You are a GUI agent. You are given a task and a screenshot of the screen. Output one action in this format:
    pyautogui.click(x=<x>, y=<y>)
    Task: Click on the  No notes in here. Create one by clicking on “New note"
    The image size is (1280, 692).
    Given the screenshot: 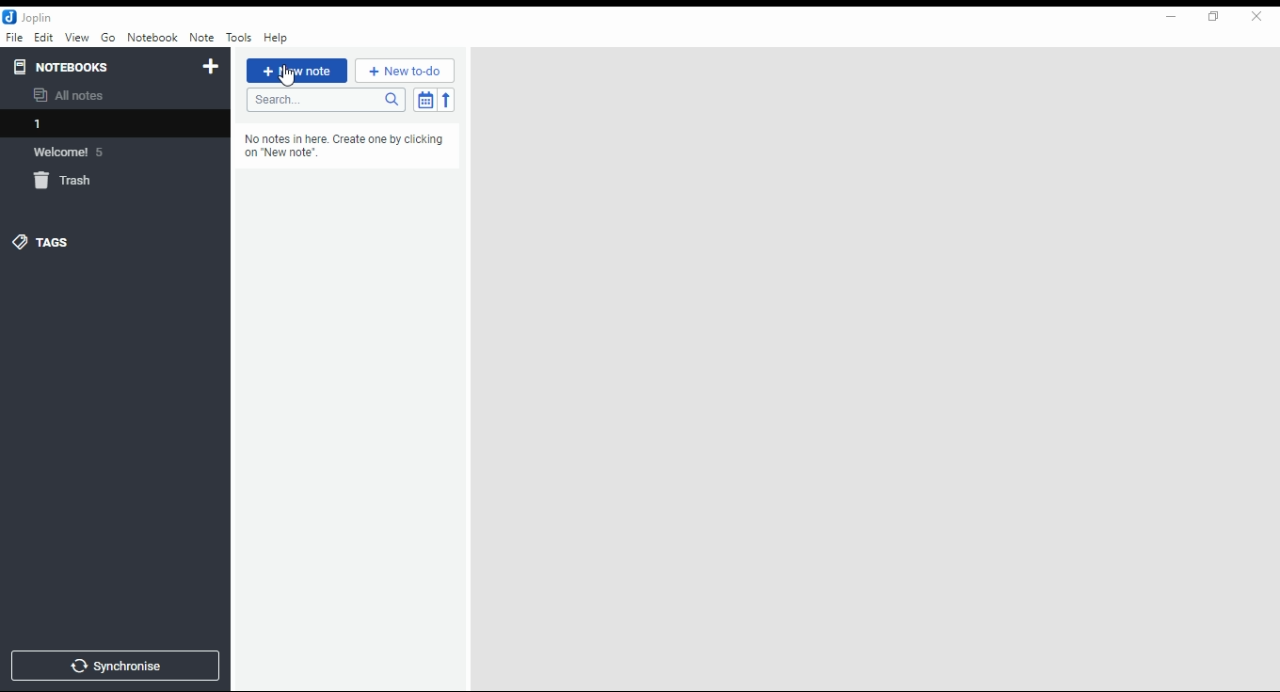 What is the action you would take?
    pyautogui.click(x=347, y=146)
    